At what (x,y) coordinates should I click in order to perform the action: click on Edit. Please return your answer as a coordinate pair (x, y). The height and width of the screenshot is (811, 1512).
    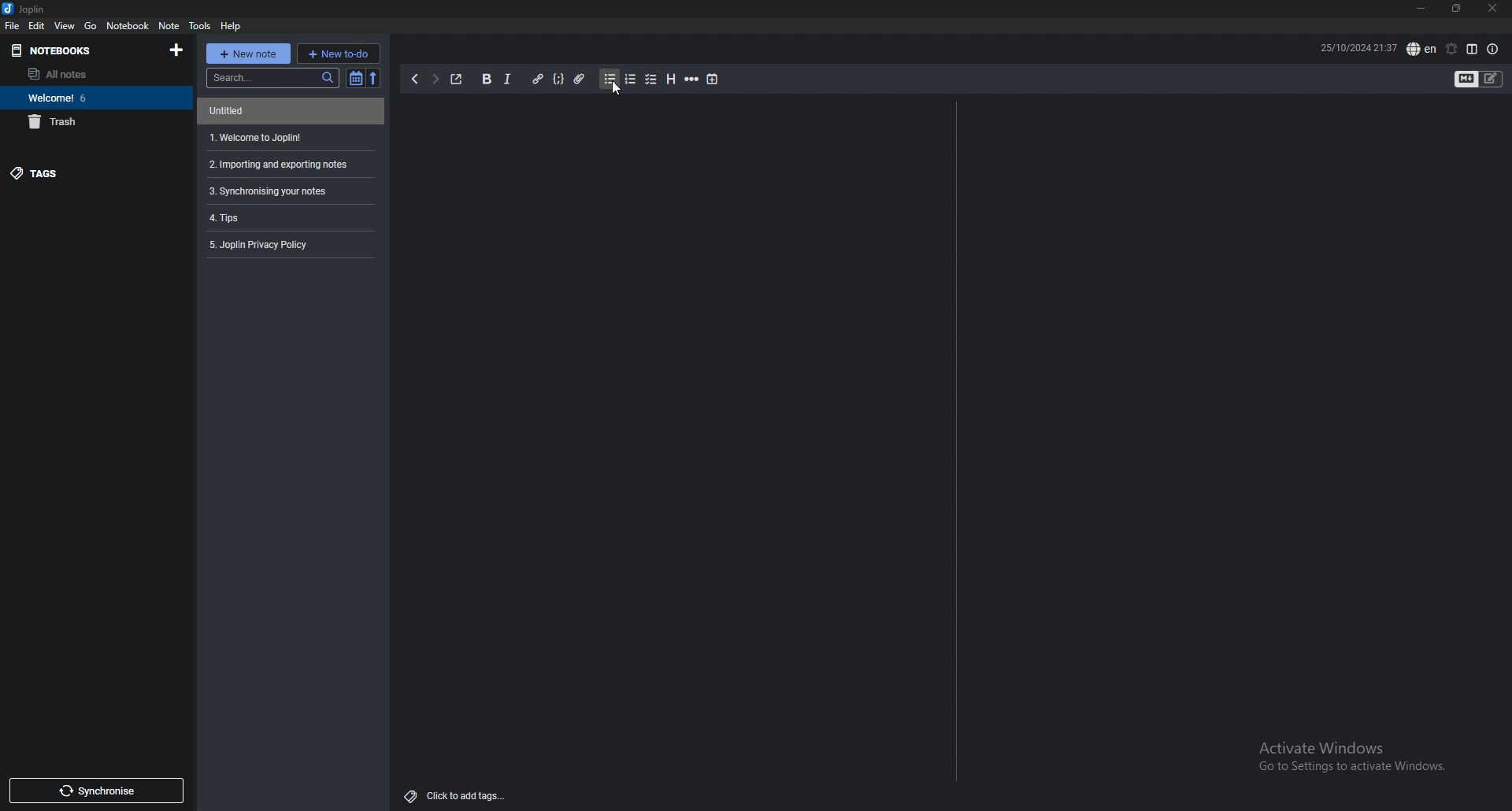
    Looking at the image, I should click on (38, 24).